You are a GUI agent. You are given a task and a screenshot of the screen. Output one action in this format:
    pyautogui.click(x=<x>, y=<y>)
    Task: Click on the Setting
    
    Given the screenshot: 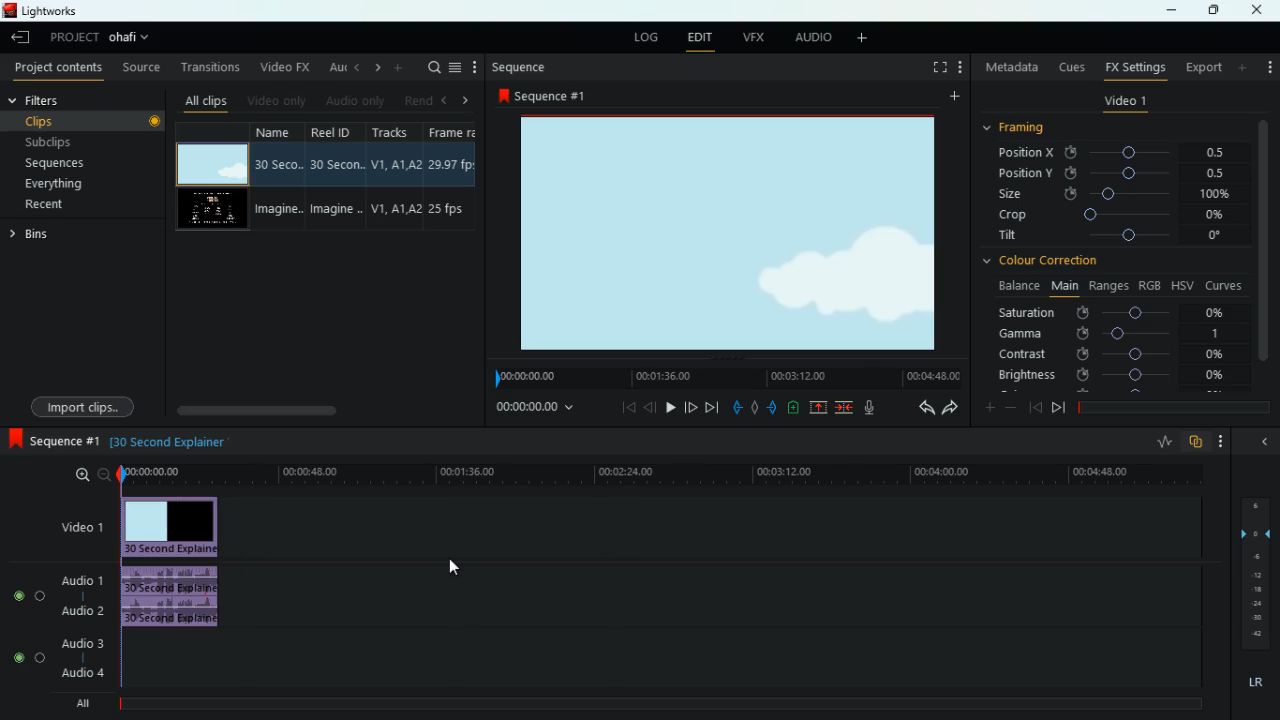 What is the action you would take?
    pyautogui.click(x=960, y=67)
    